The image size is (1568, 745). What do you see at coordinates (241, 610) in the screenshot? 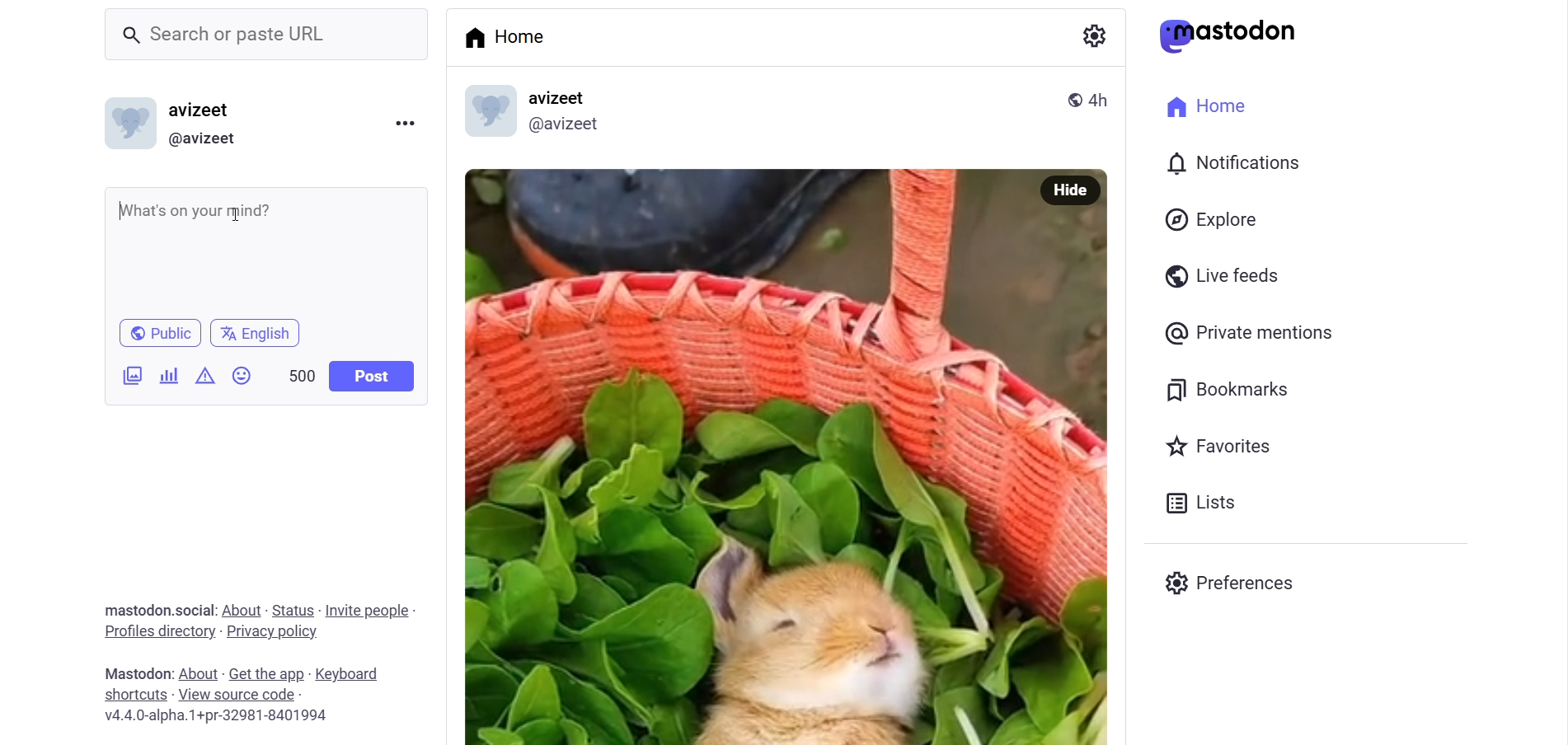
I see `about` at bounding box center [241, 610].